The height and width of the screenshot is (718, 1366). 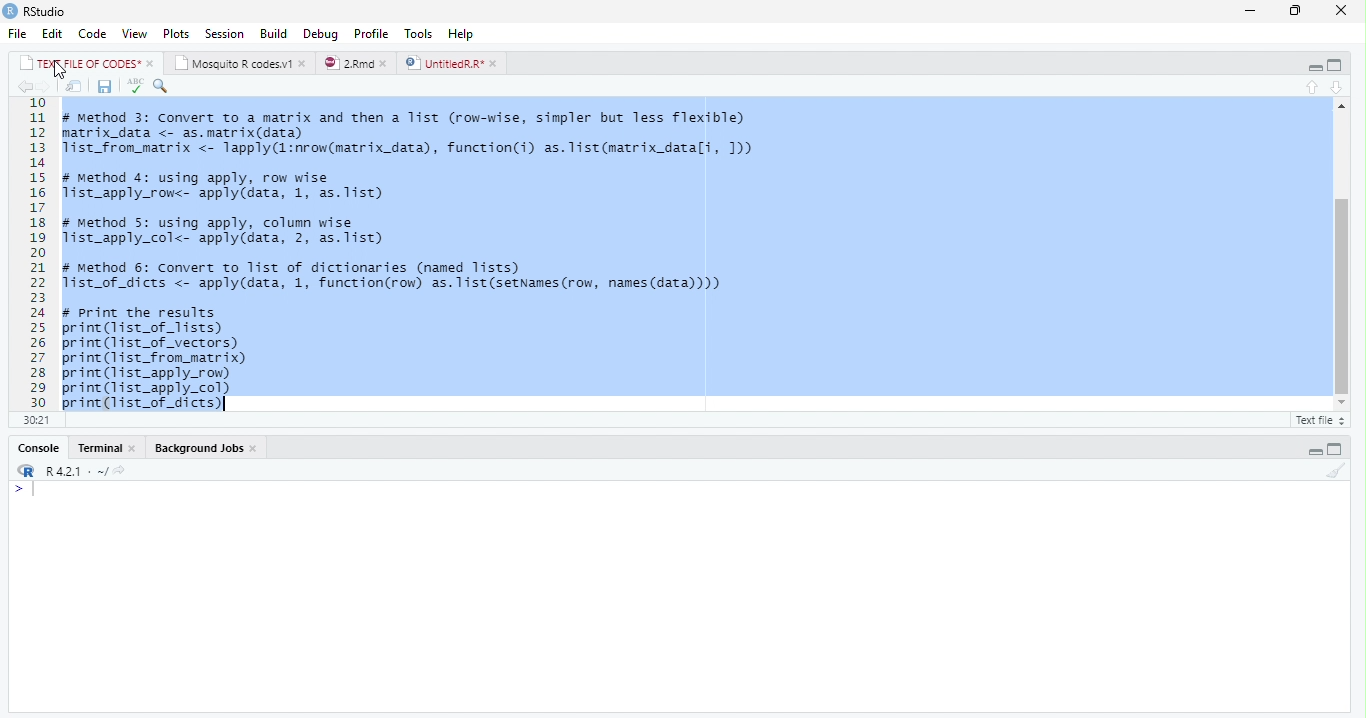 What do you see at coordinates (1341, 401) in the screenshot?
I see `Scroll Bottom` at bounding box center [1341, 401].